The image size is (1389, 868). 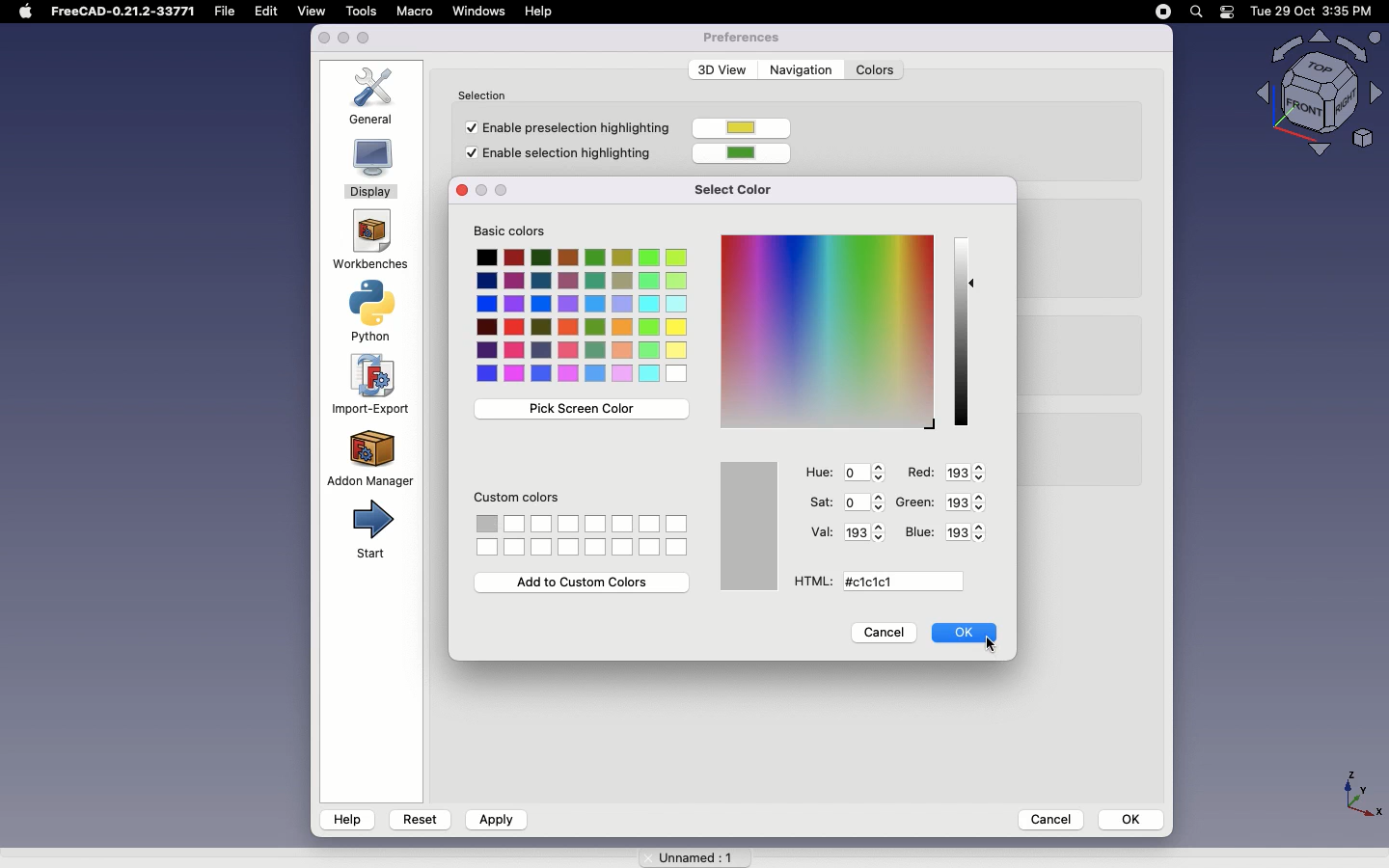 I want to click on Help, so click(x=347, y=819).